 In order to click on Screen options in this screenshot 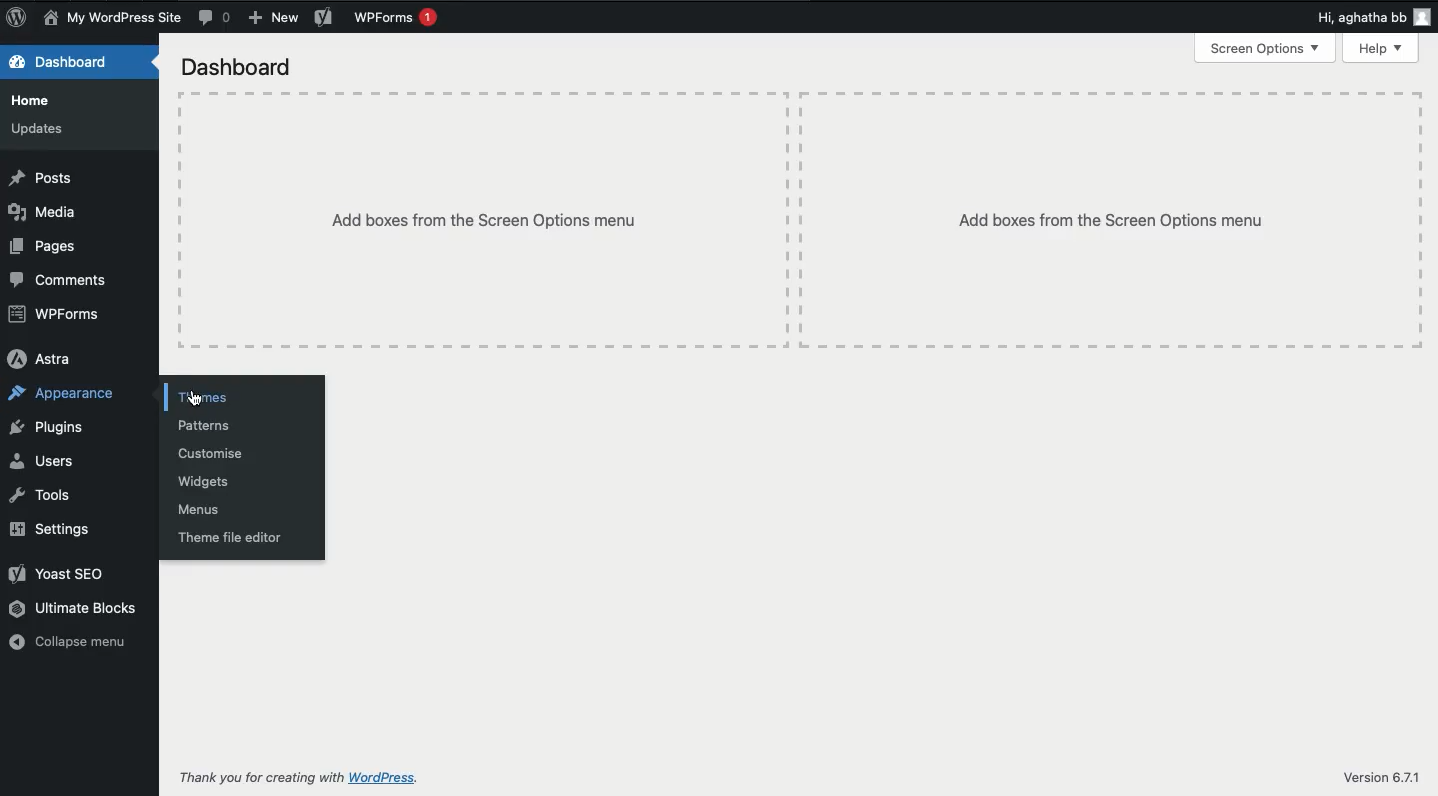, I will do `click(1266, 48)`.